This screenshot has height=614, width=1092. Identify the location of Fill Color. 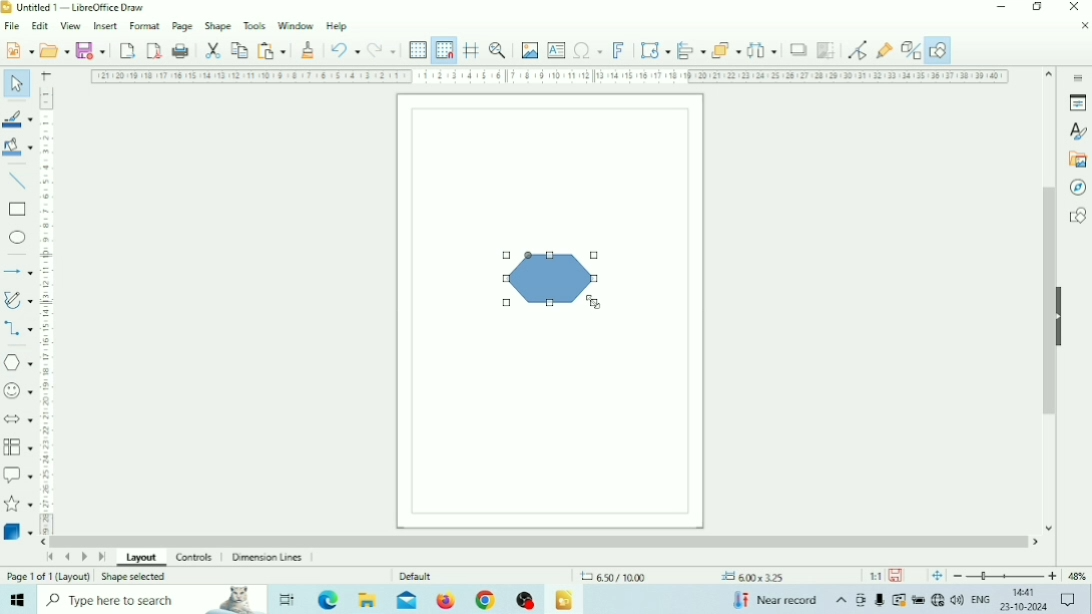
(17, 146).